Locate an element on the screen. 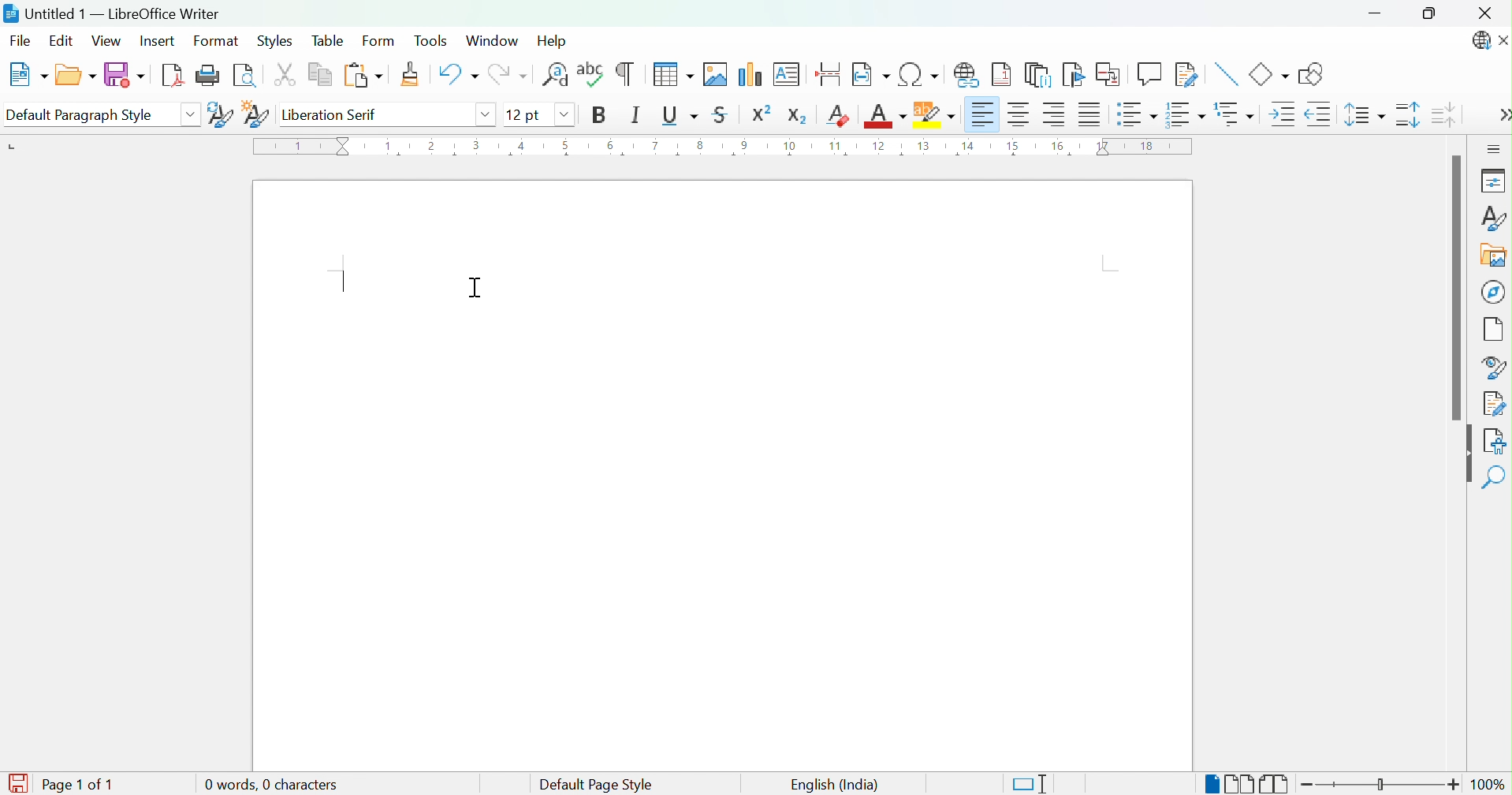 The width and height of the screenshot is (1512, 795). Underline is located at coordinates (679, 115).